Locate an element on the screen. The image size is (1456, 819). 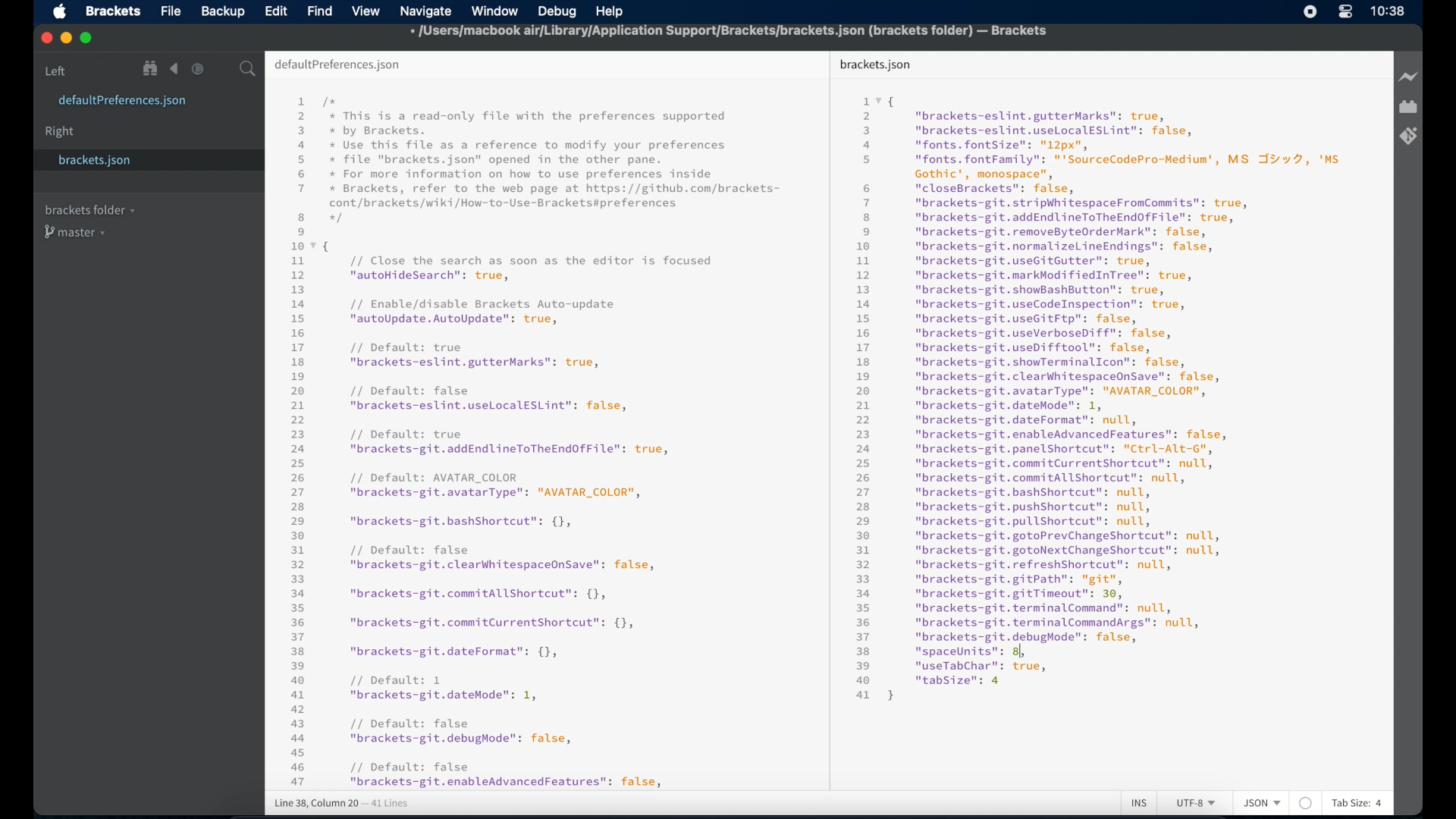
json syntax is located at coordinates (535, 441).